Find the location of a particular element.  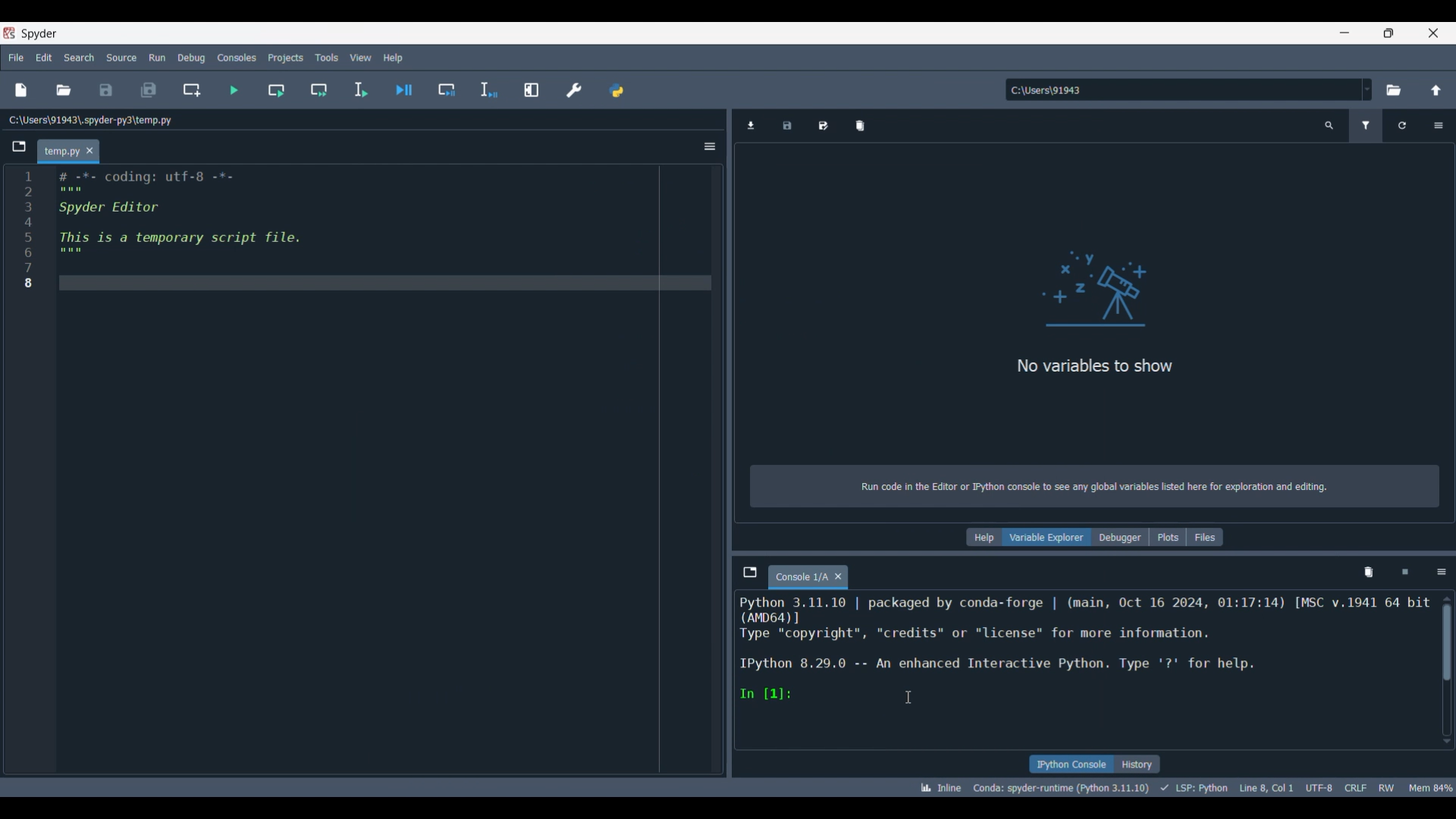

File menu is located at coordinates (16, 58).